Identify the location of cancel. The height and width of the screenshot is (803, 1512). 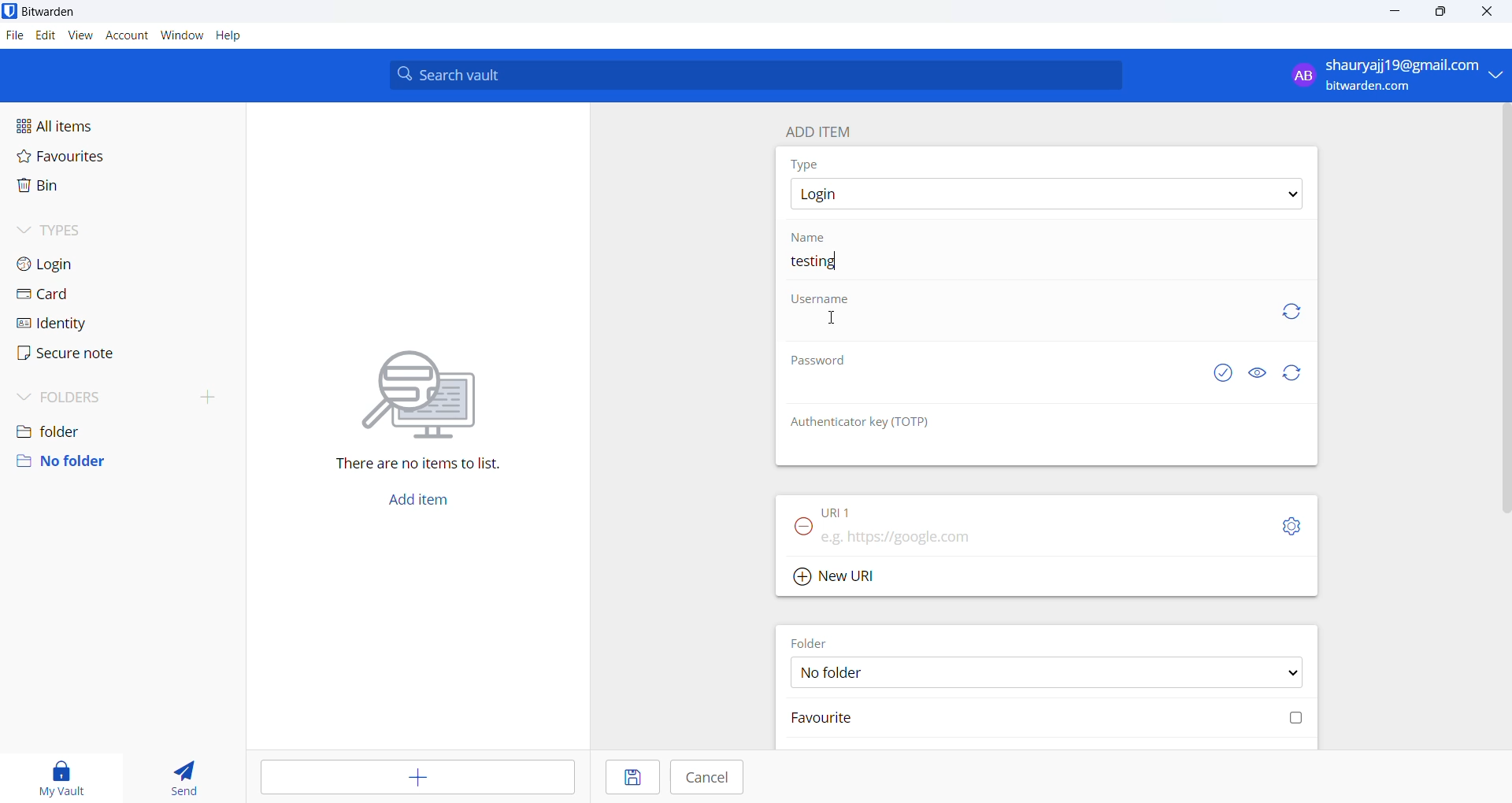
(706, 777).